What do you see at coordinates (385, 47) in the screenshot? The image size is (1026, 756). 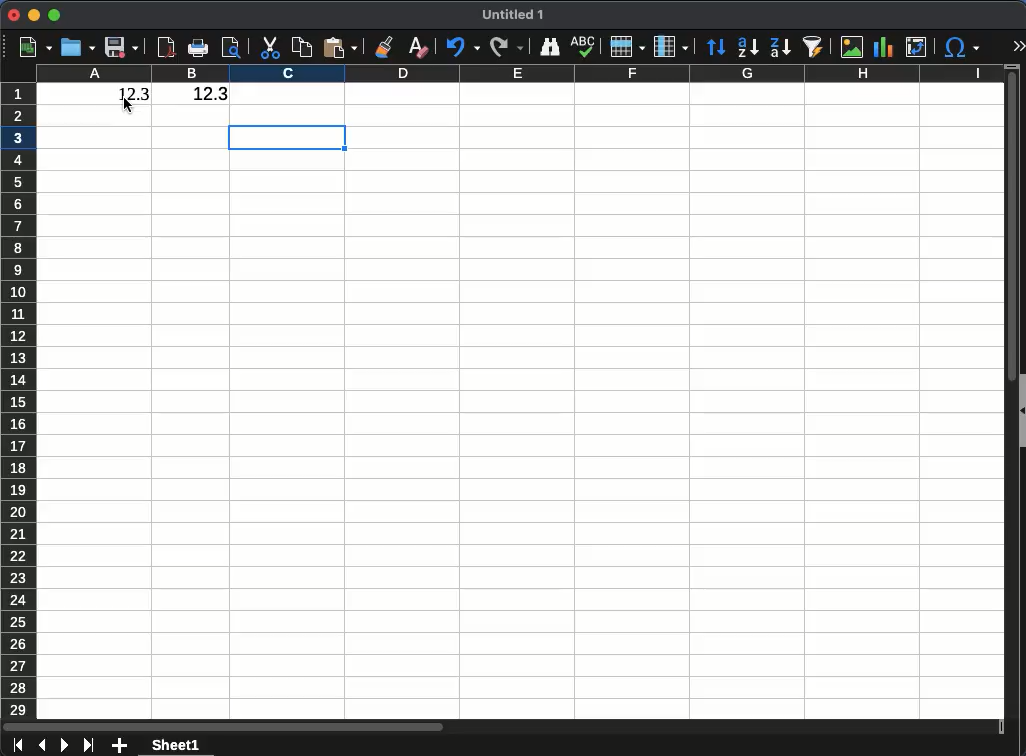 I see `clone formatting` at bounding box center [385, 47].